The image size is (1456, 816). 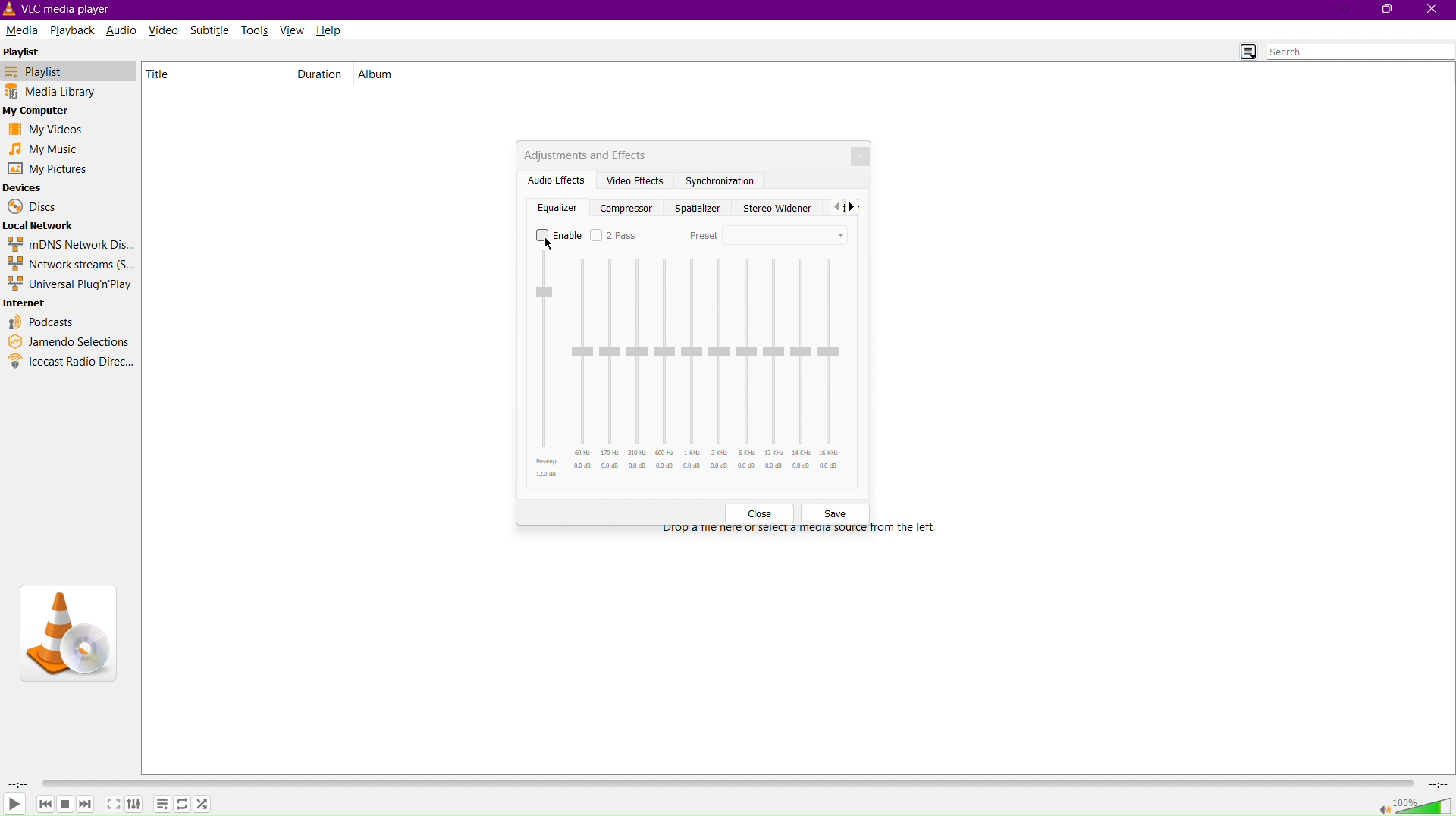 What do you see at coordinates (696, 234) in the screenshot?
I see `Preset` at bounding box center [696, 234].